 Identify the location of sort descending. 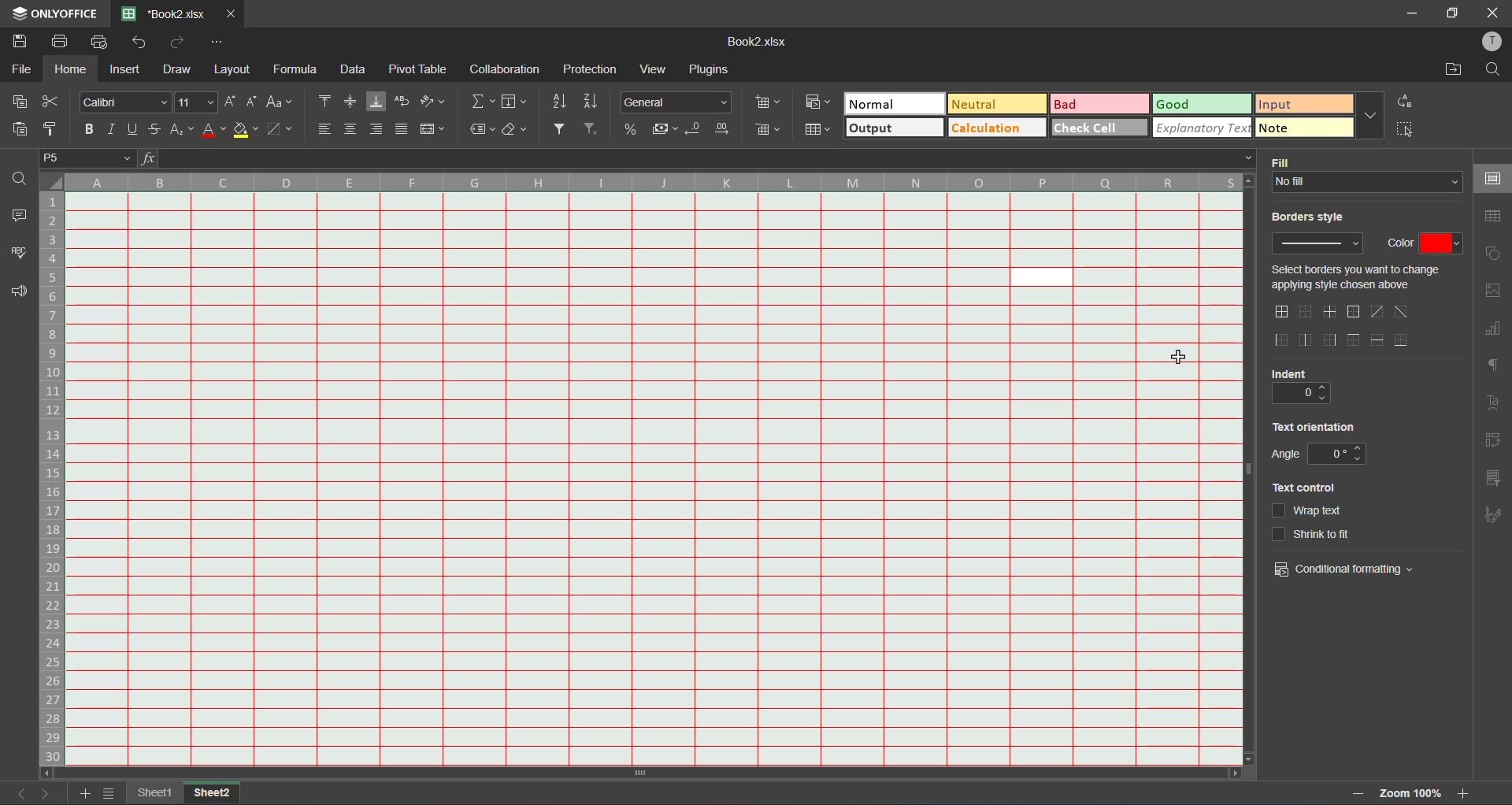
(597, 104).